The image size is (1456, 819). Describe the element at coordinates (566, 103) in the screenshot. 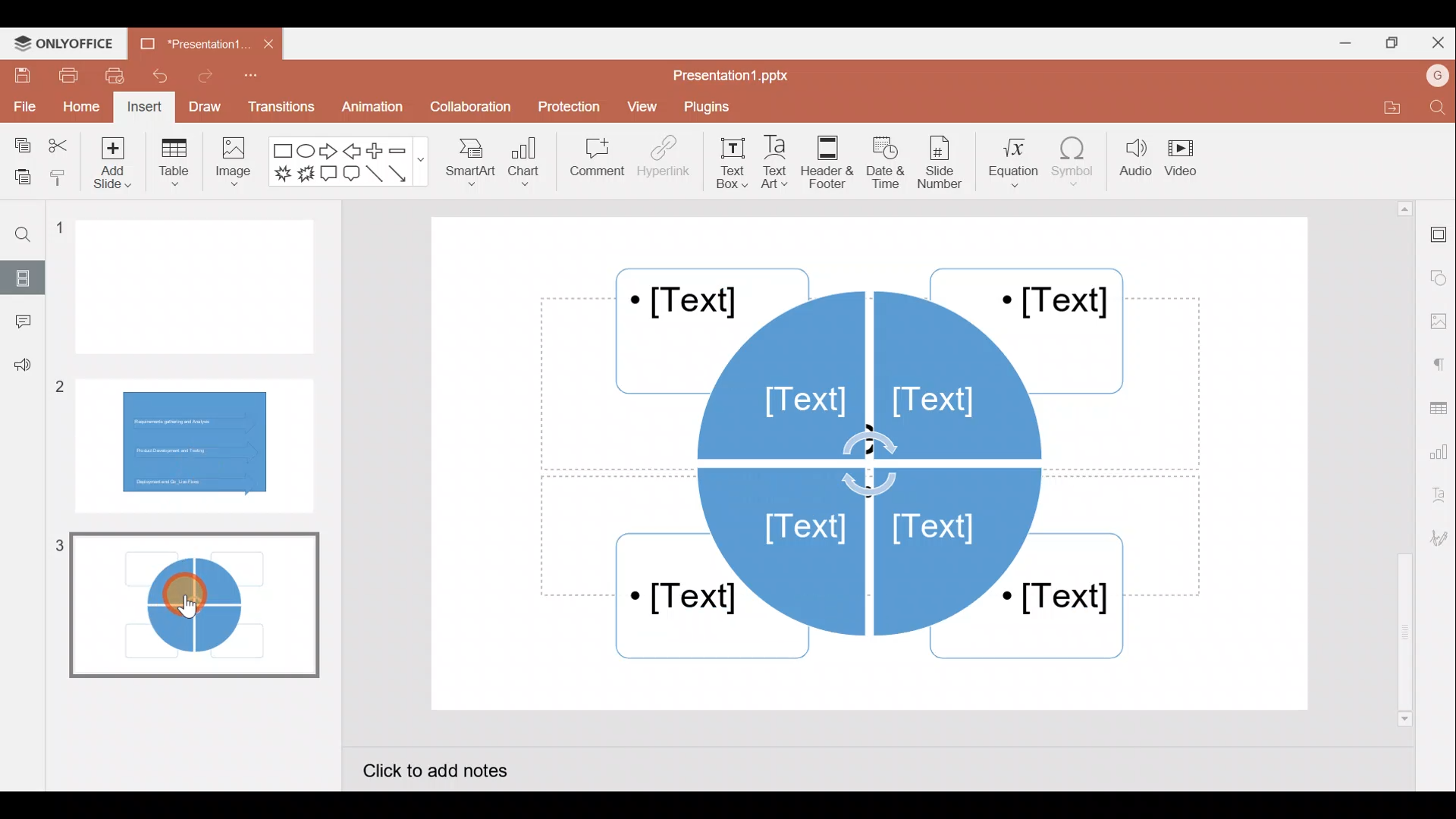

I see `Protection` at that location.